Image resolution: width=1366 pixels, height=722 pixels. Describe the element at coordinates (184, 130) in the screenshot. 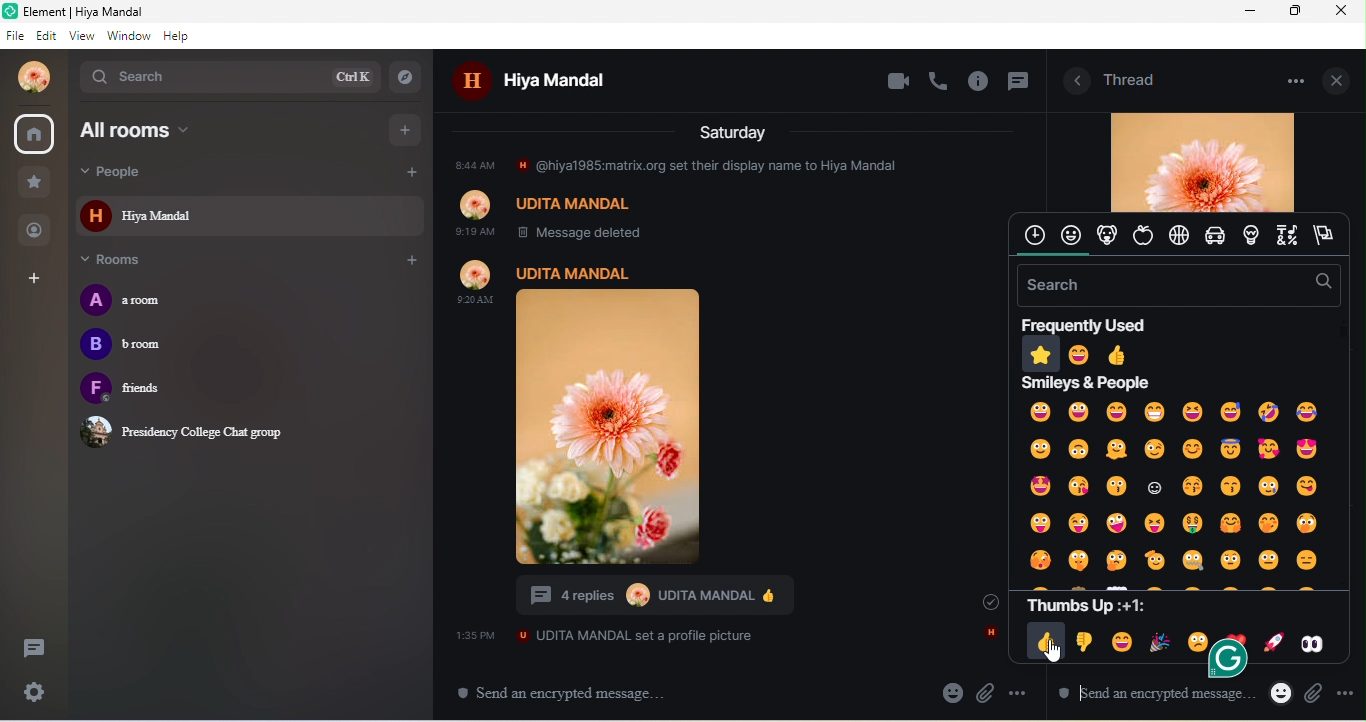

I see `all rooms` at that location.